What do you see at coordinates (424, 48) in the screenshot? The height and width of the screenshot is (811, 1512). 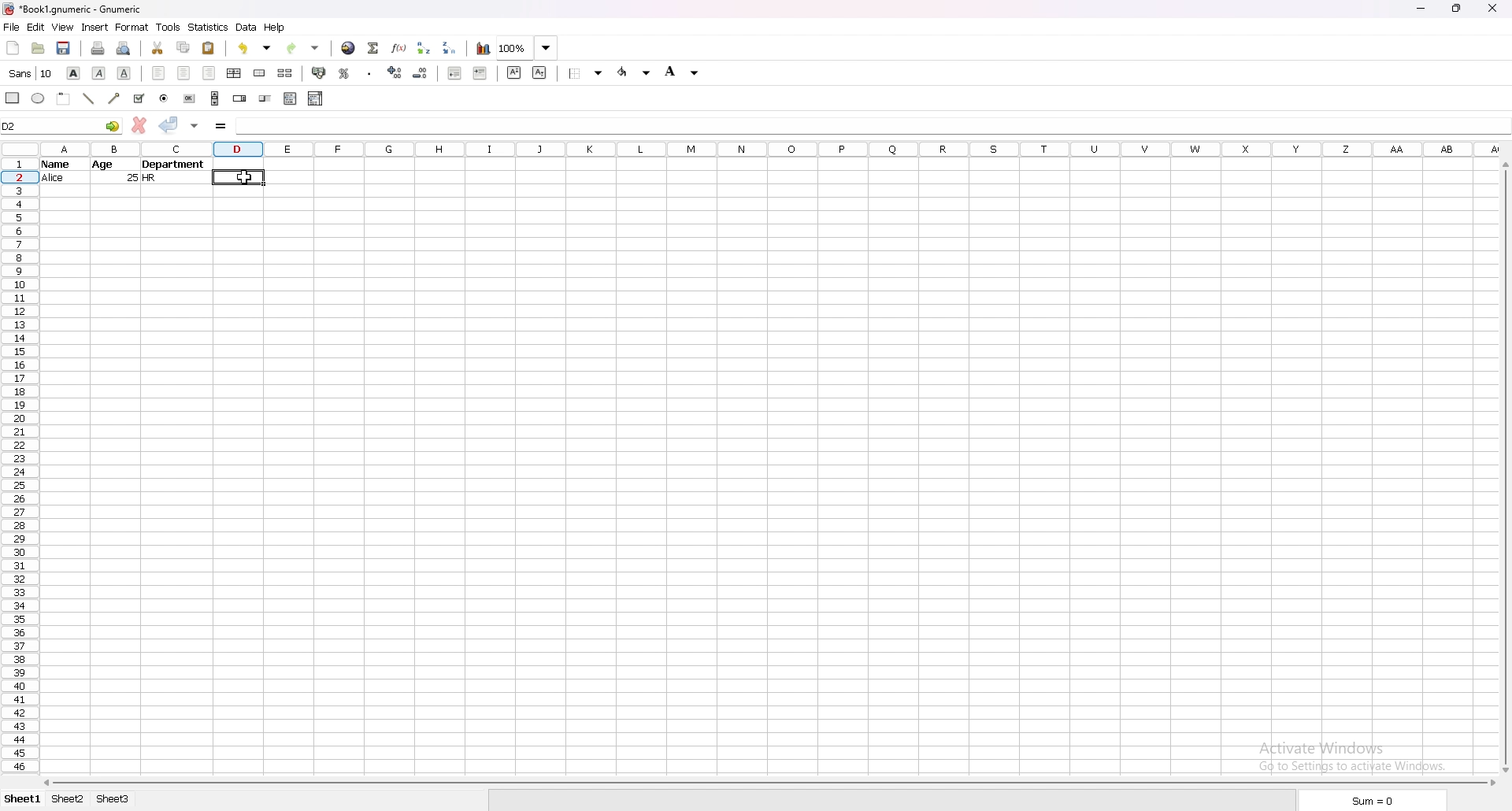 I see `sort ascending` at bounding box center [424, 48].